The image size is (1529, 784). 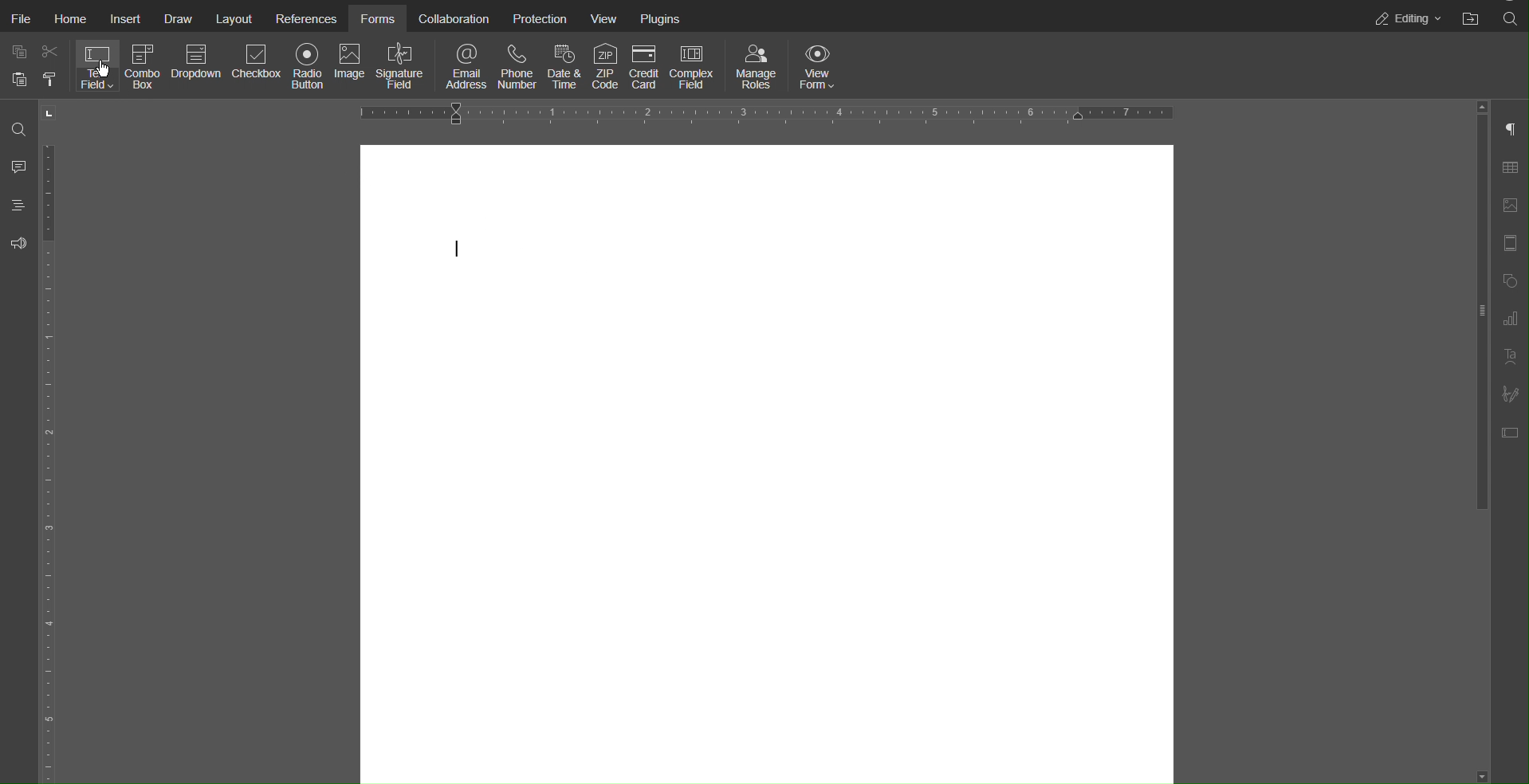 I want to click on Horizontal Ruler, so click(x=769, y=114).